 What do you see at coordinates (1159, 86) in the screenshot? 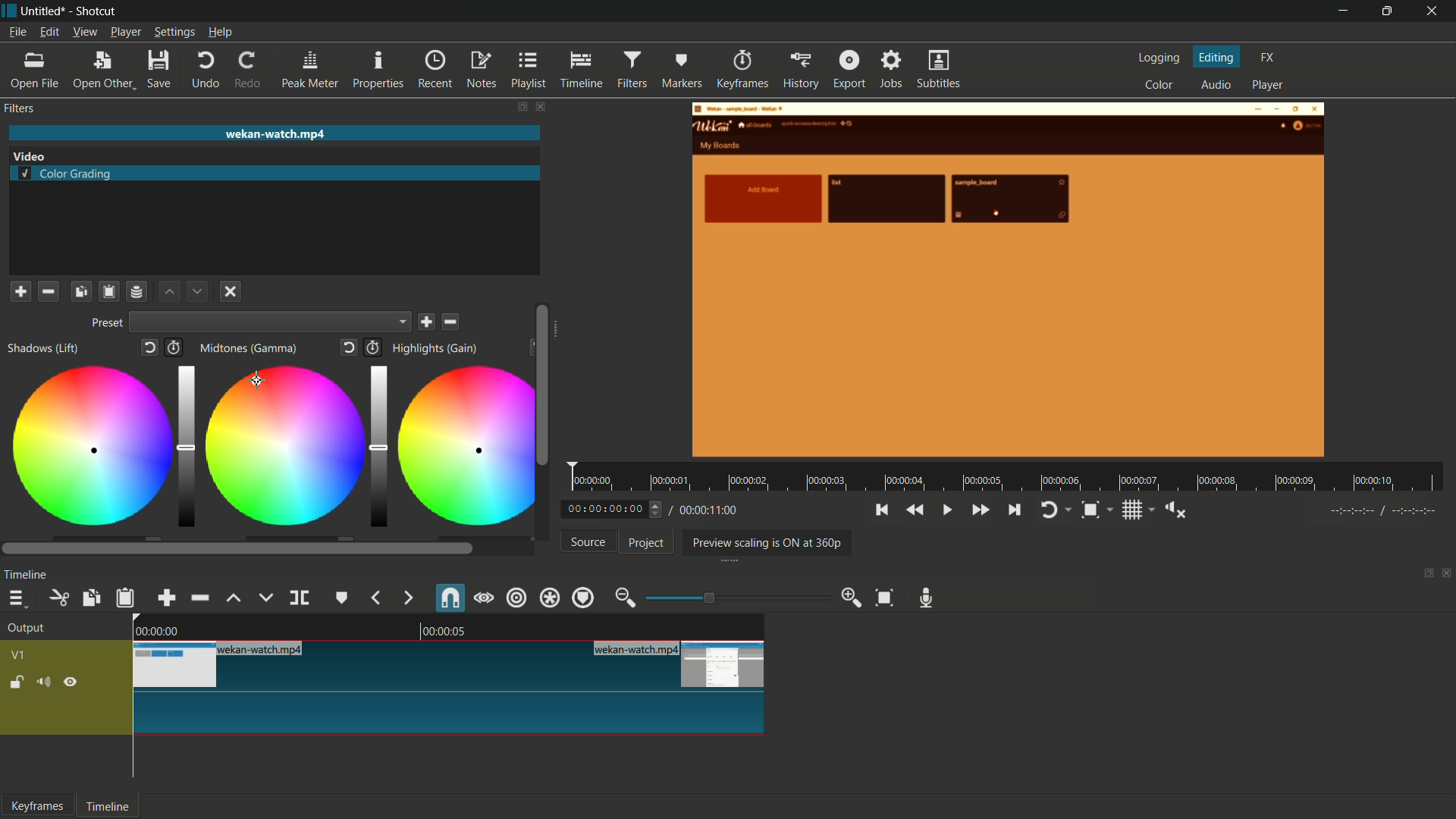
I see `color` at bounding box center [1159, 86].